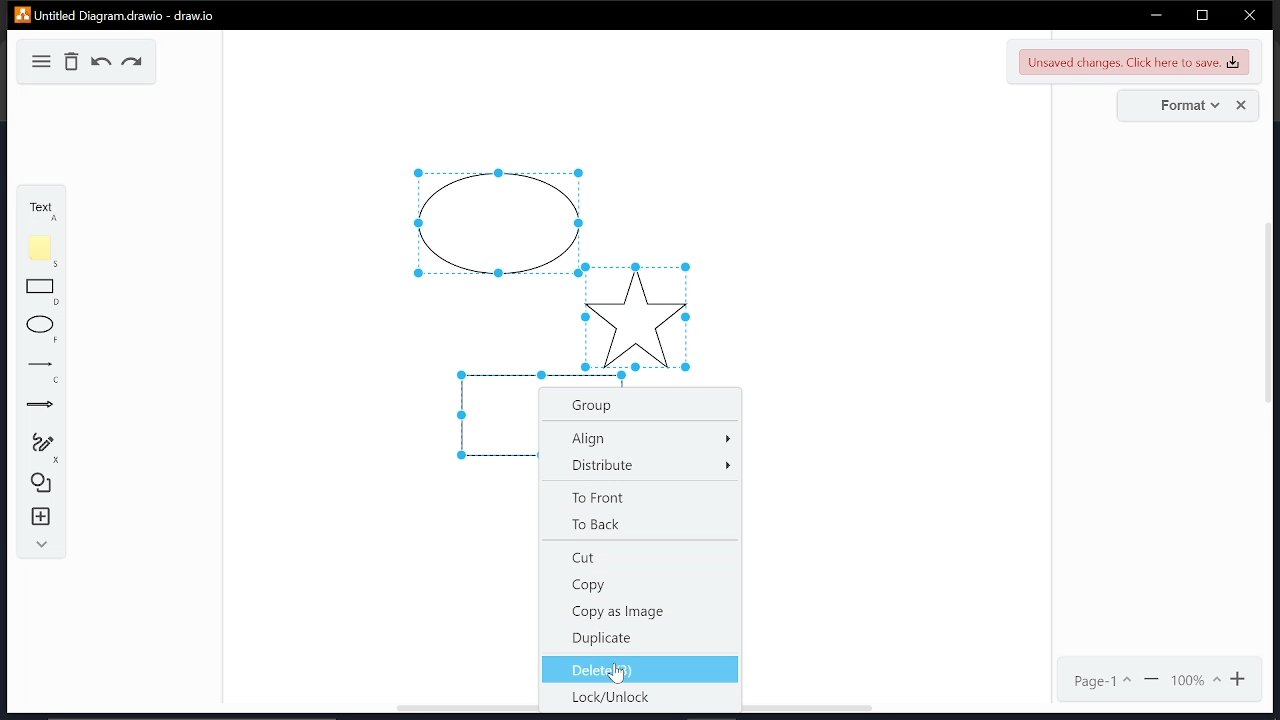 The height and width of the screenshot is (720, 1280). I want to click on to front, so click(639, 495).